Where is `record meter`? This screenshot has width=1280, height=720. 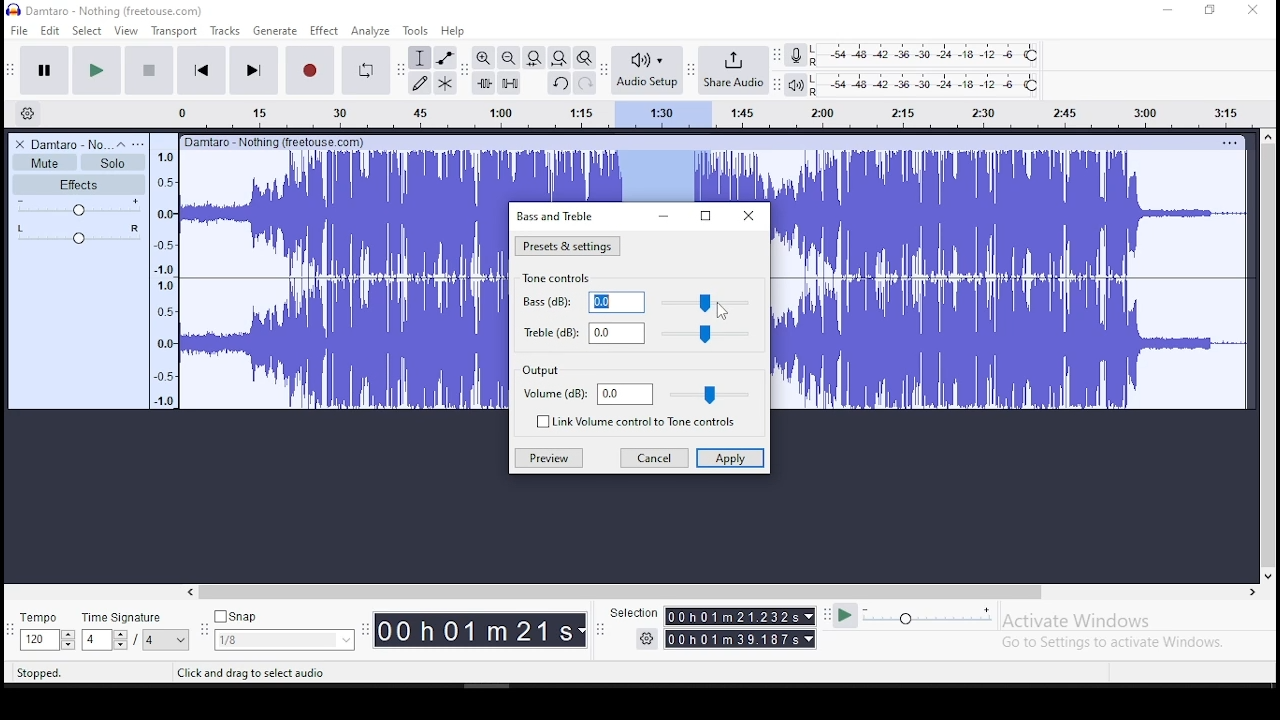 record meter is located at coordinates (796, 54).